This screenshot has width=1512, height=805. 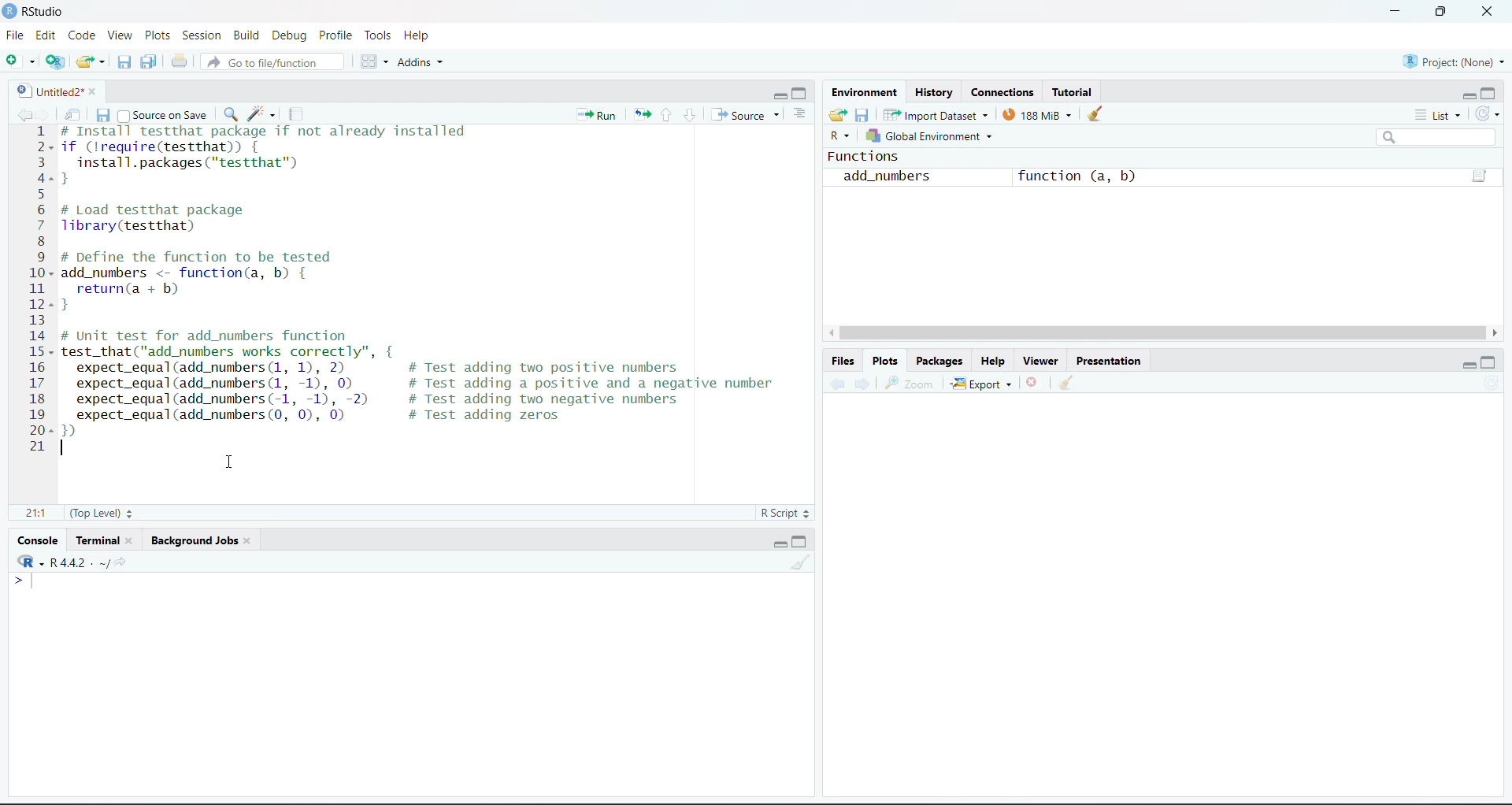 What do you see at coordinates (246, 35) in the screenshot?
I see `Build` at bounding box center [246, 35].